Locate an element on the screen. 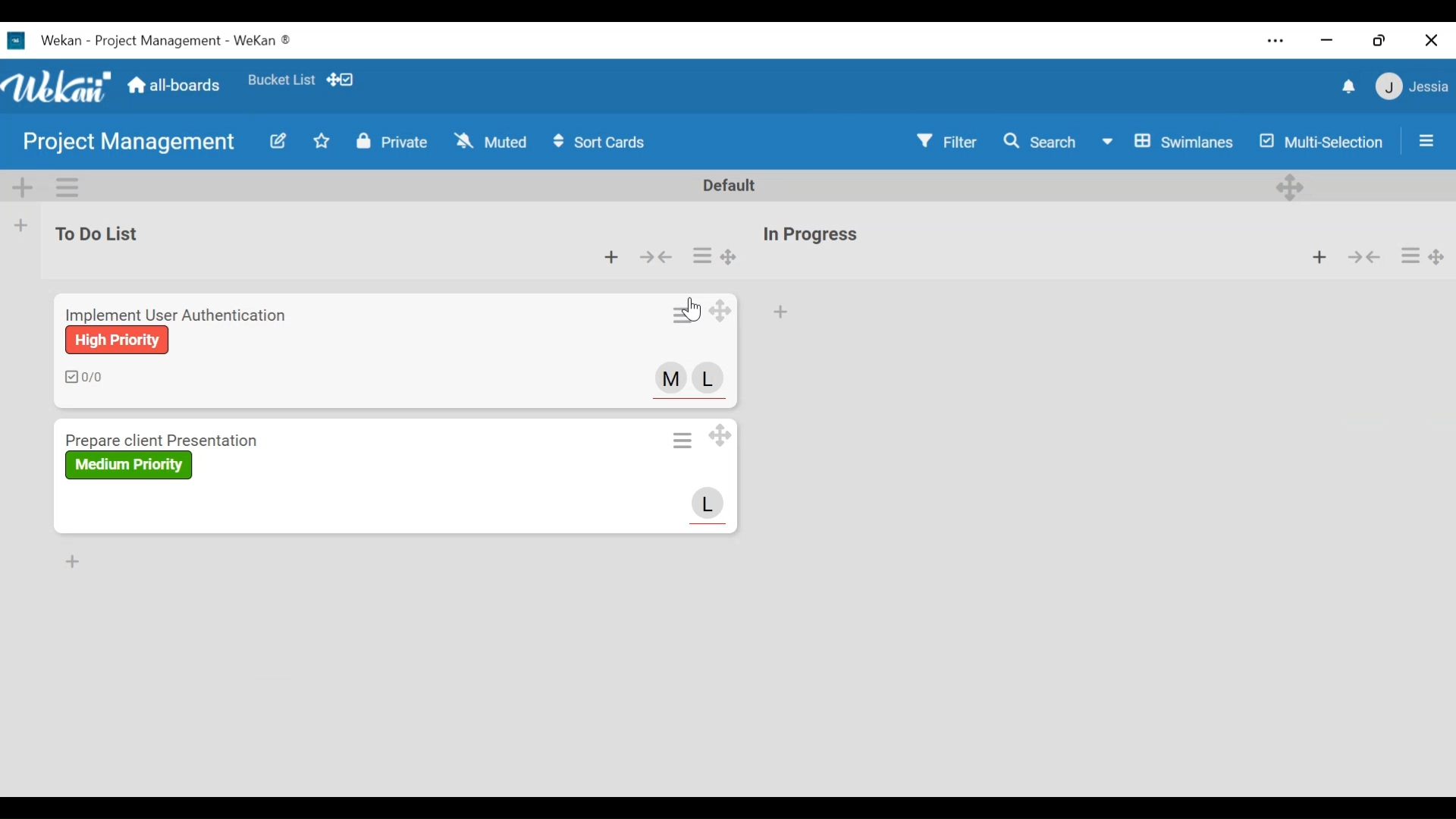 The height and width of the screenshot is (819, 1456). Home (All boards) is located at coordinates (176, 84).